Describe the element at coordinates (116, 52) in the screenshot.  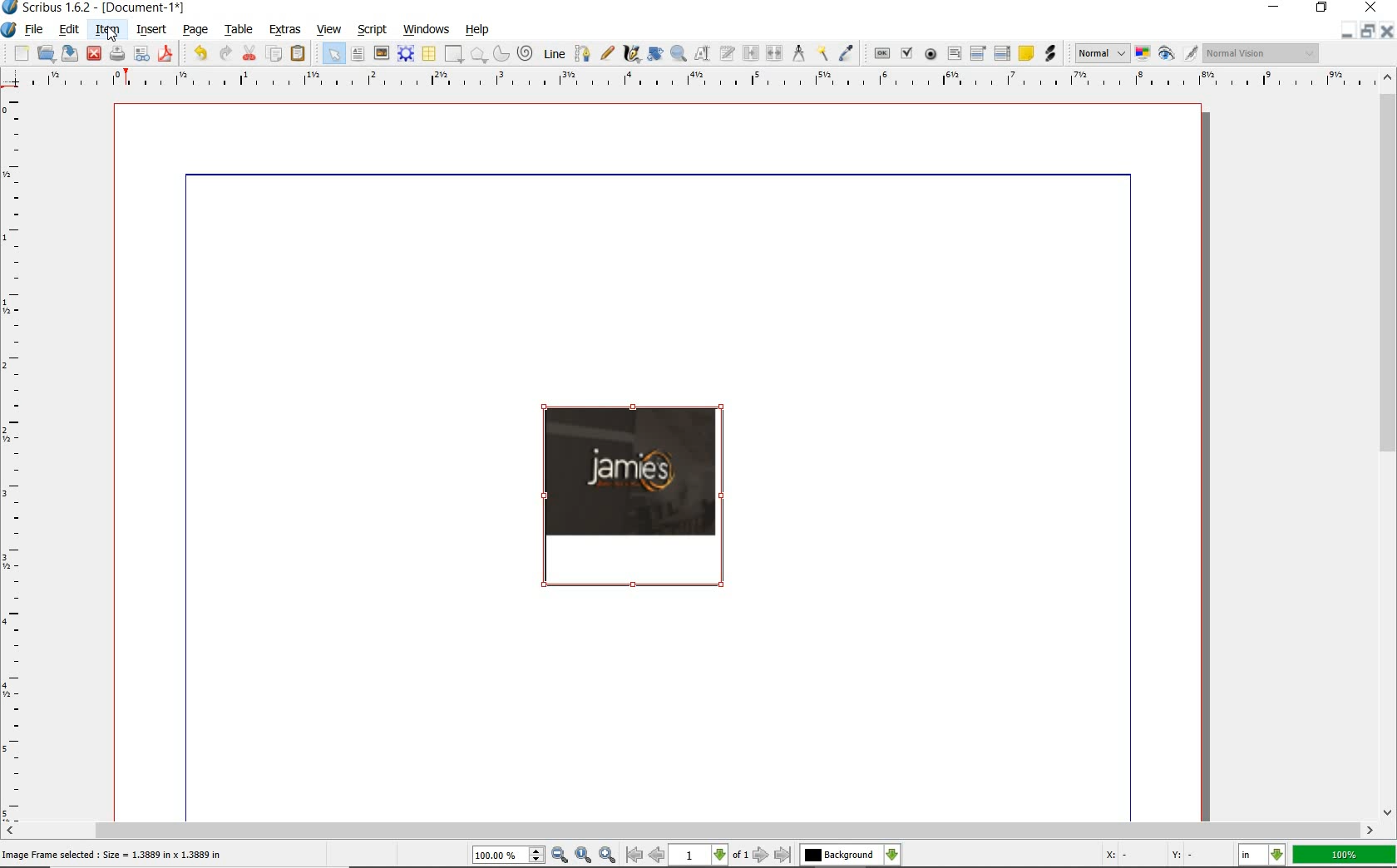
I see `print` at that location.